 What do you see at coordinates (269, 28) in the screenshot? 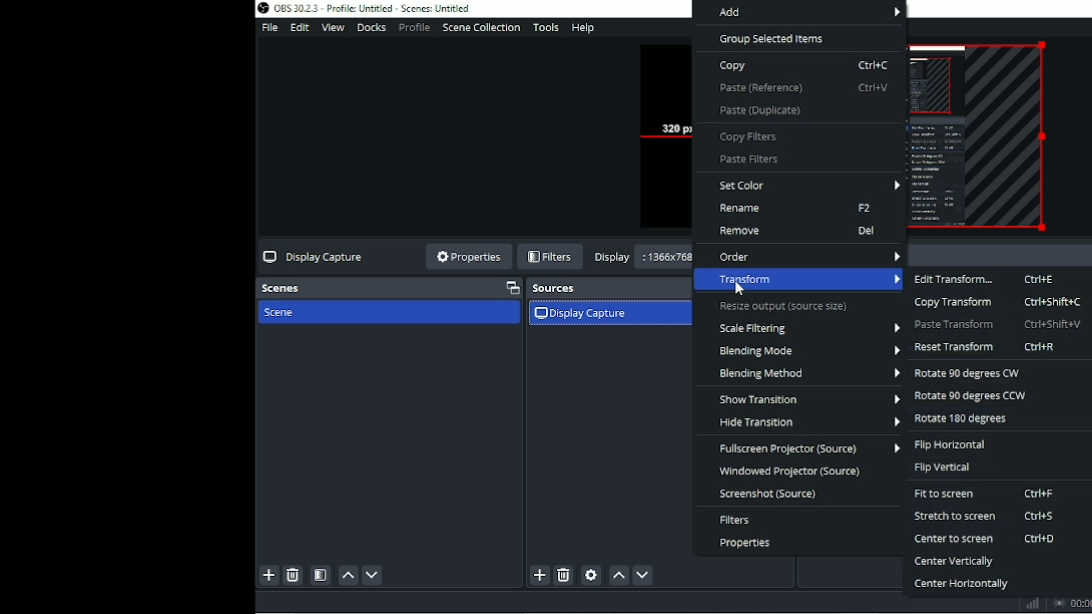
I see `File` at bounding box center [269, 28].